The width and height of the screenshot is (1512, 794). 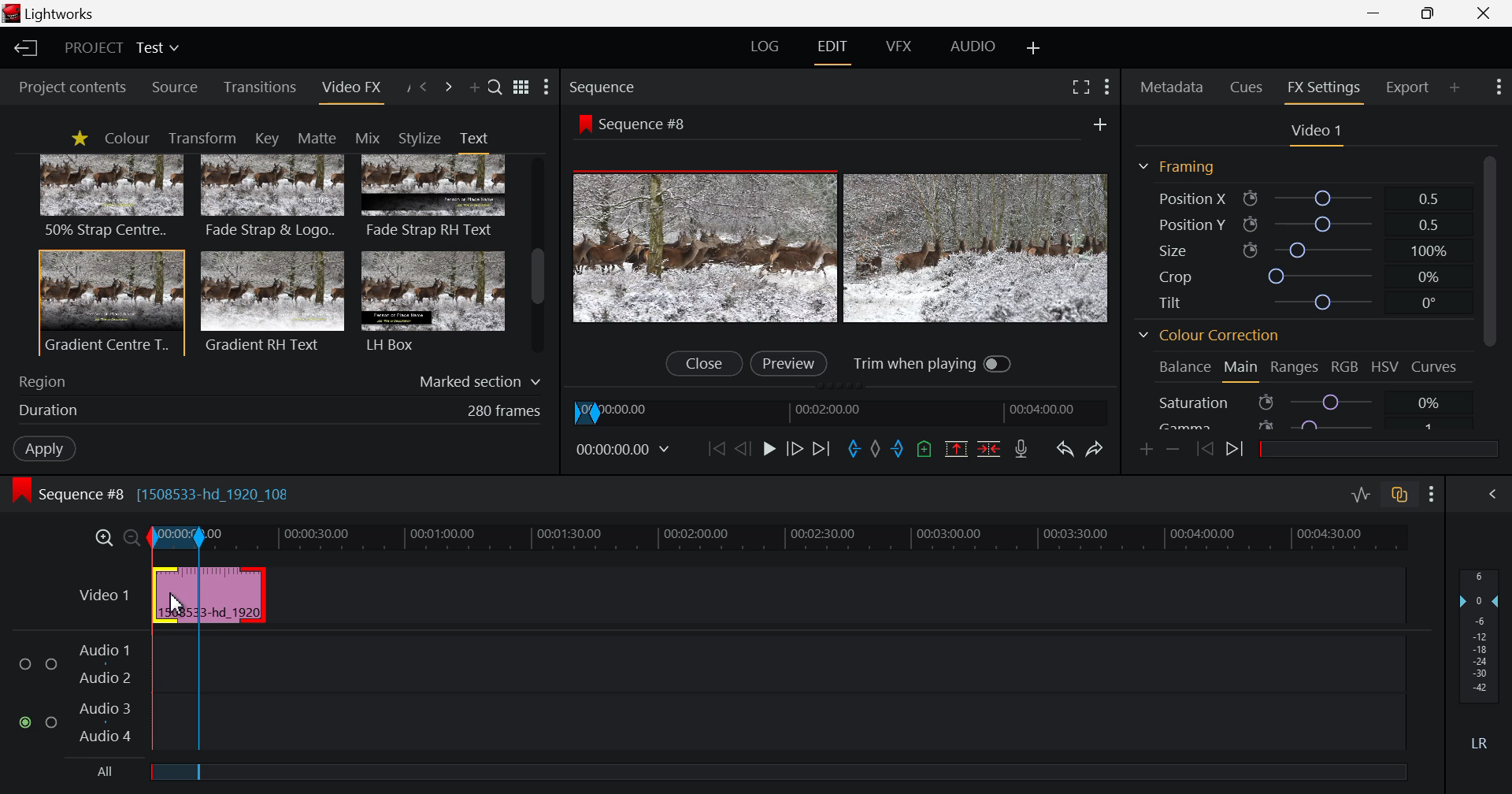 I want to click on Transform, so click(x=206, y=139).